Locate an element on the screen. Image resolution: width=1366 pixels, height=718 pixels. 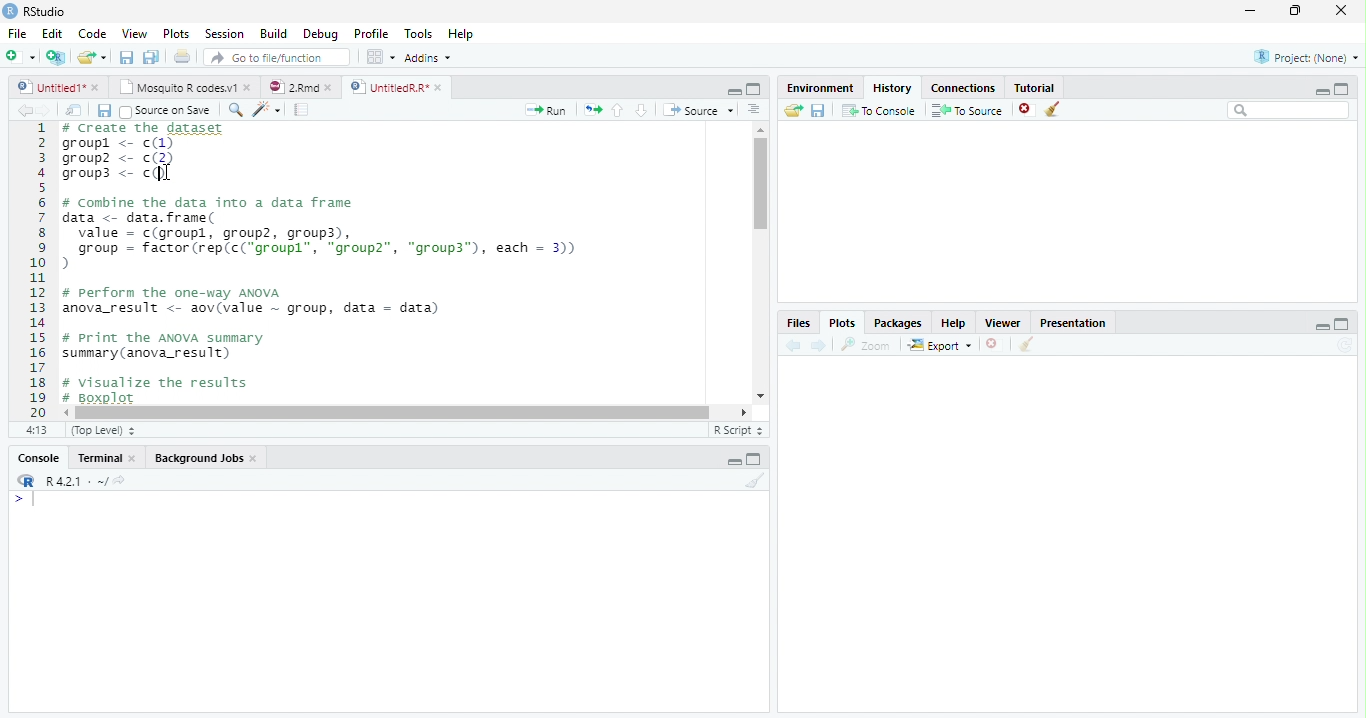
Scrollbar is located at coordinates (408, 411).